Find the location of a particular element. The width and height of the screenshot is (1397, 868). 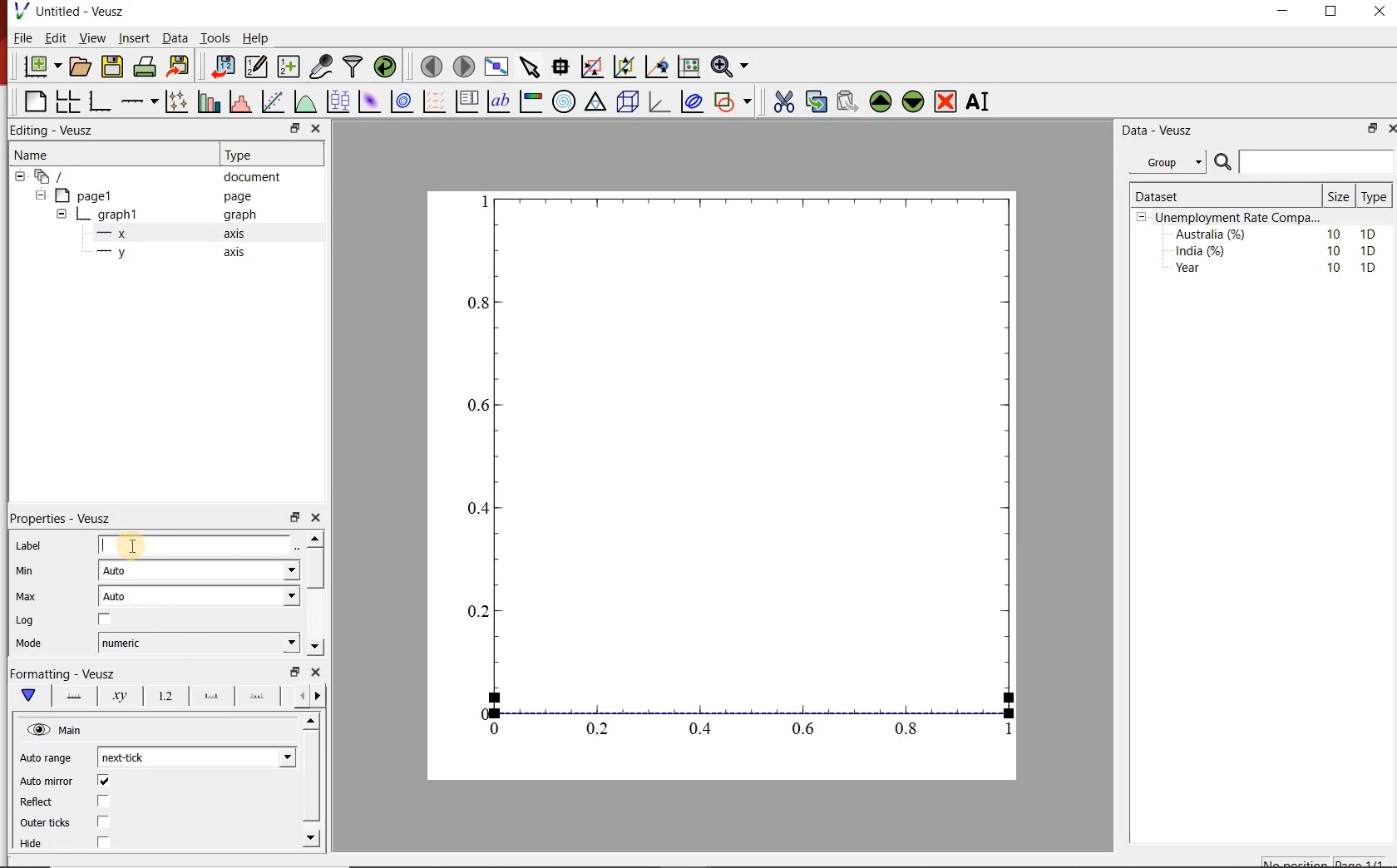

axis lines is located at coordinates (76, 697).